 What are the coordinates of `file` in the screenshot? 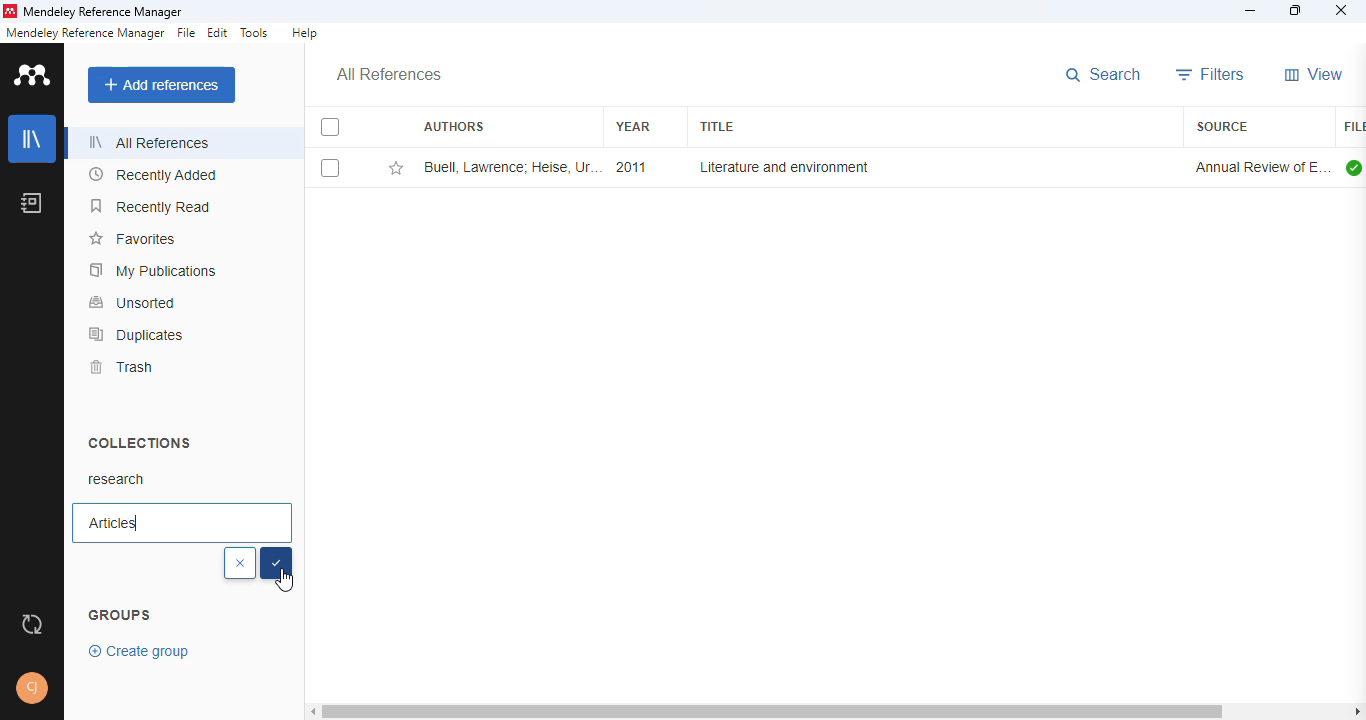 It's located at (185, 33).